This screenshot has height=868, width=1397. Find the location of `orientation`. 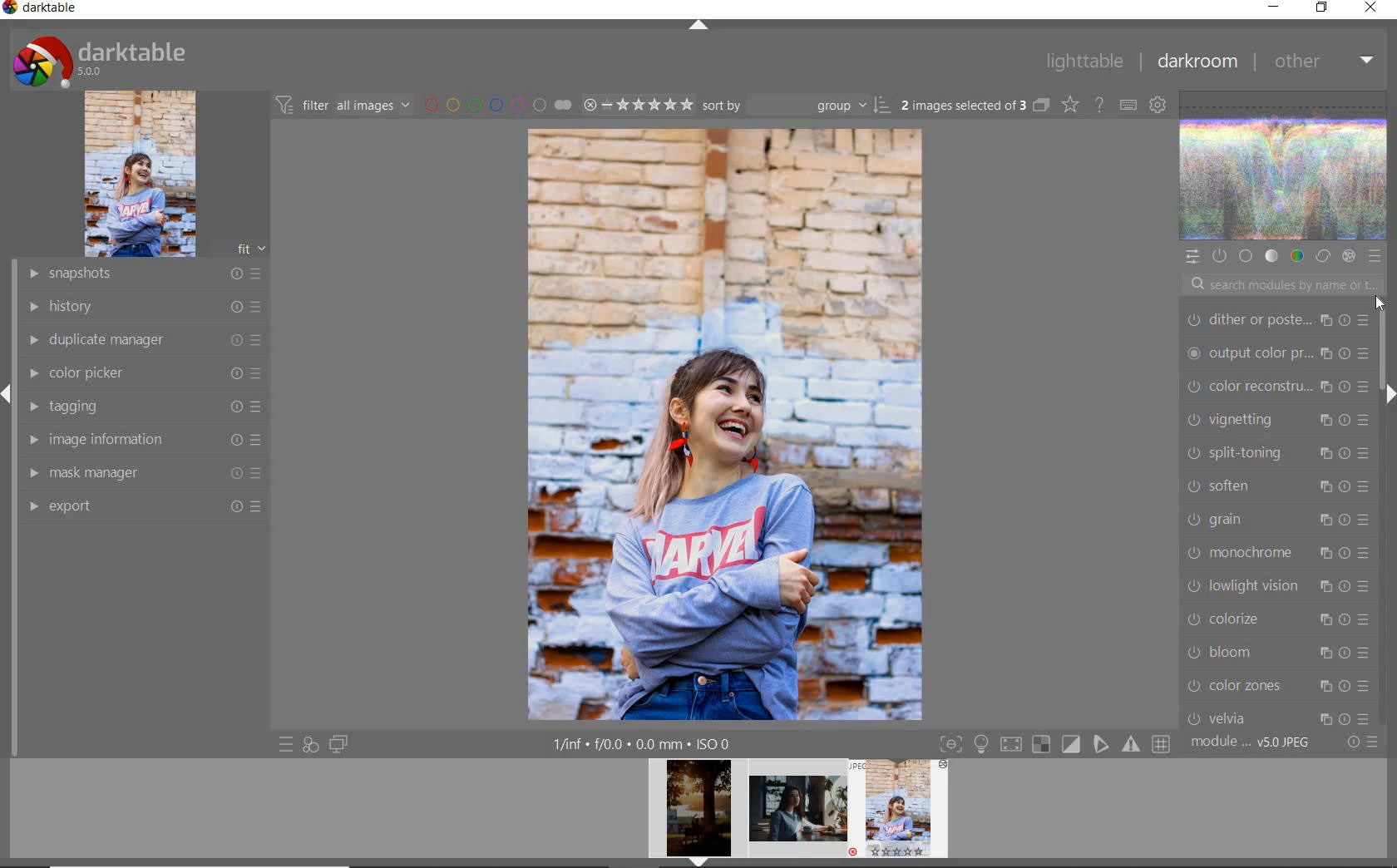

orientation is located at coordinates (1276, 584).